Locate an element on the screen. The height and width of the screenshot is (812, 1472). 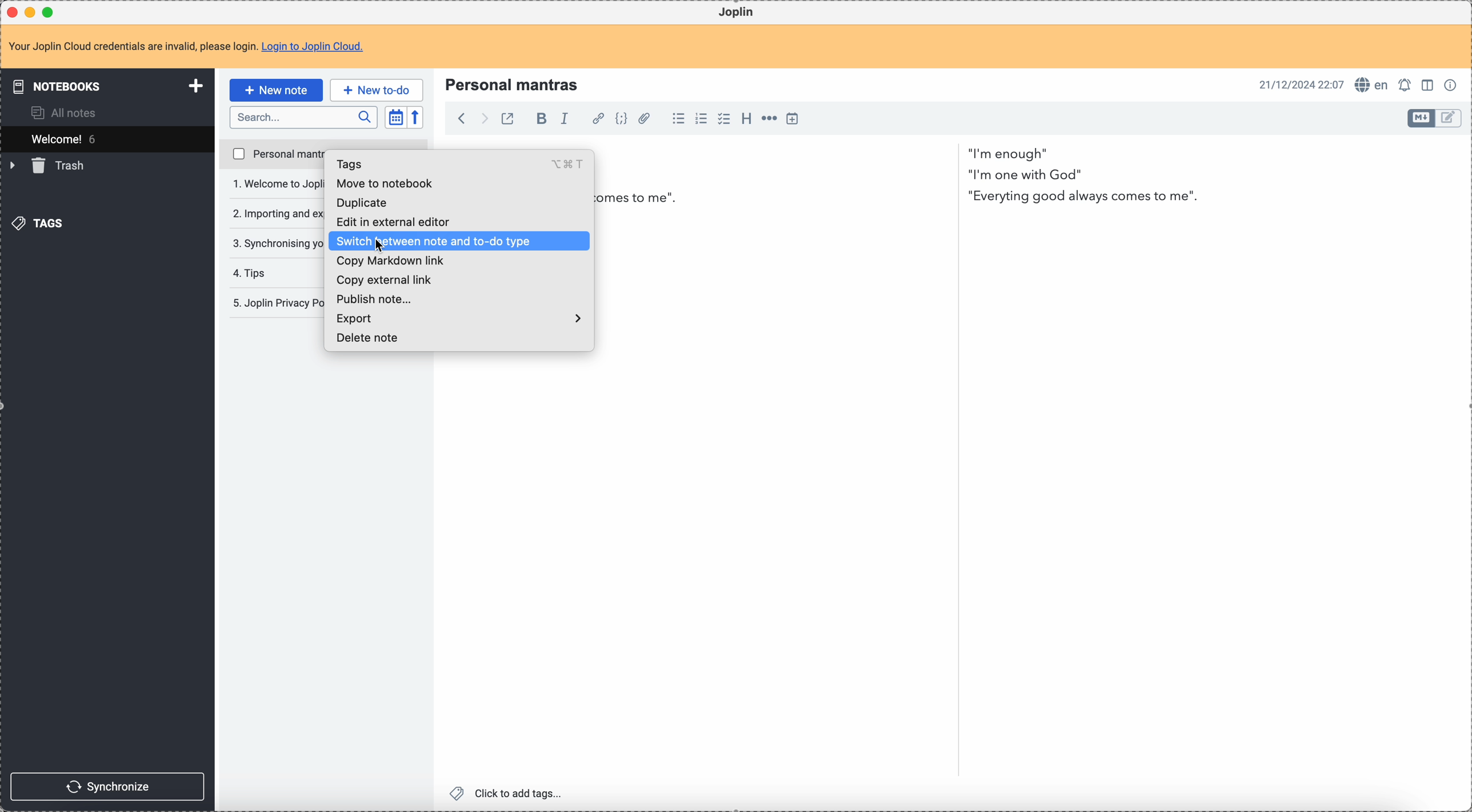
i am enough"  i'm one with God" Everything good always come to me " is located at coordinates (1085, 179).